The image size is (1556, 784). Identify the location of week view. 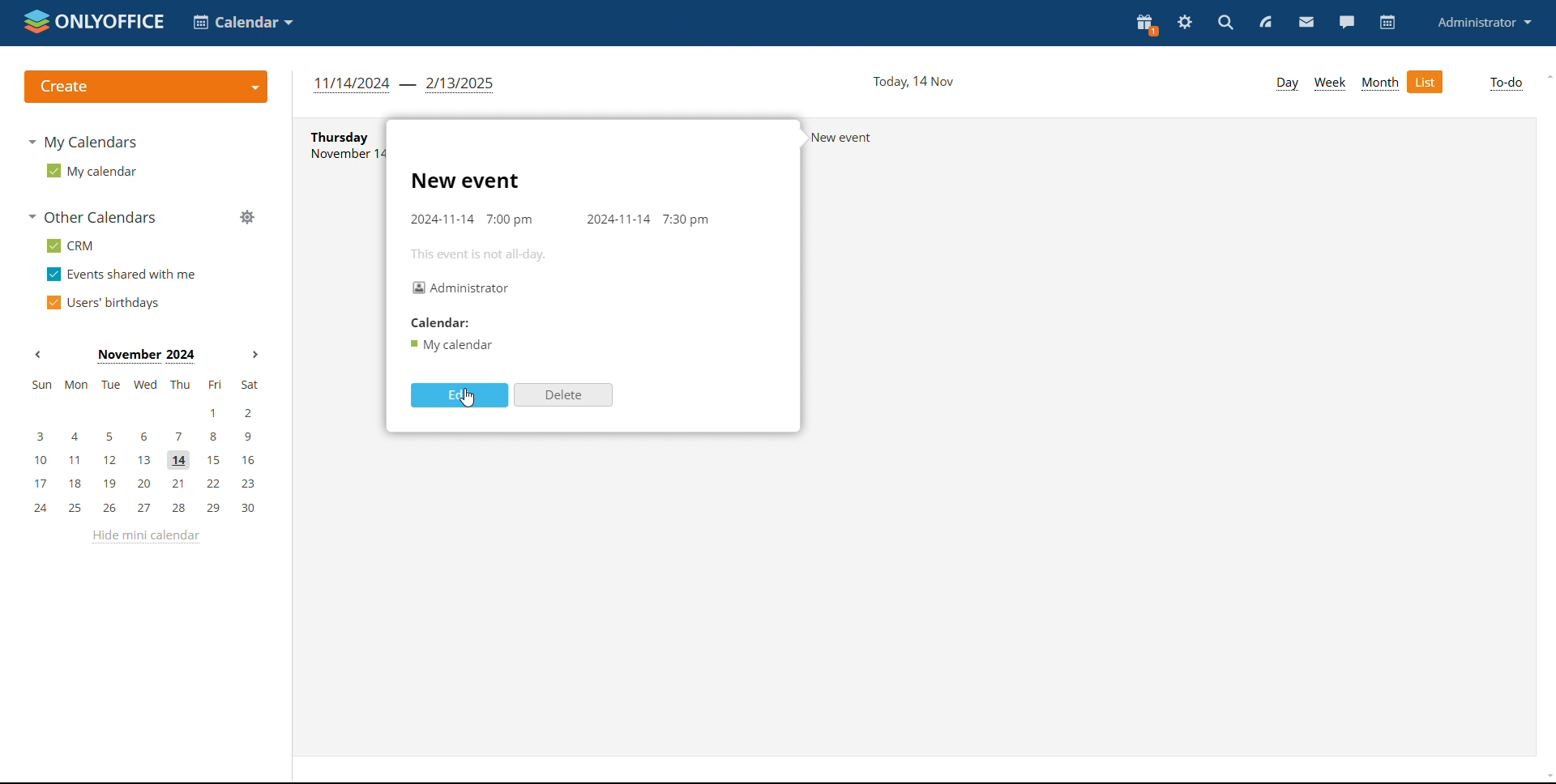
(1330, 83).